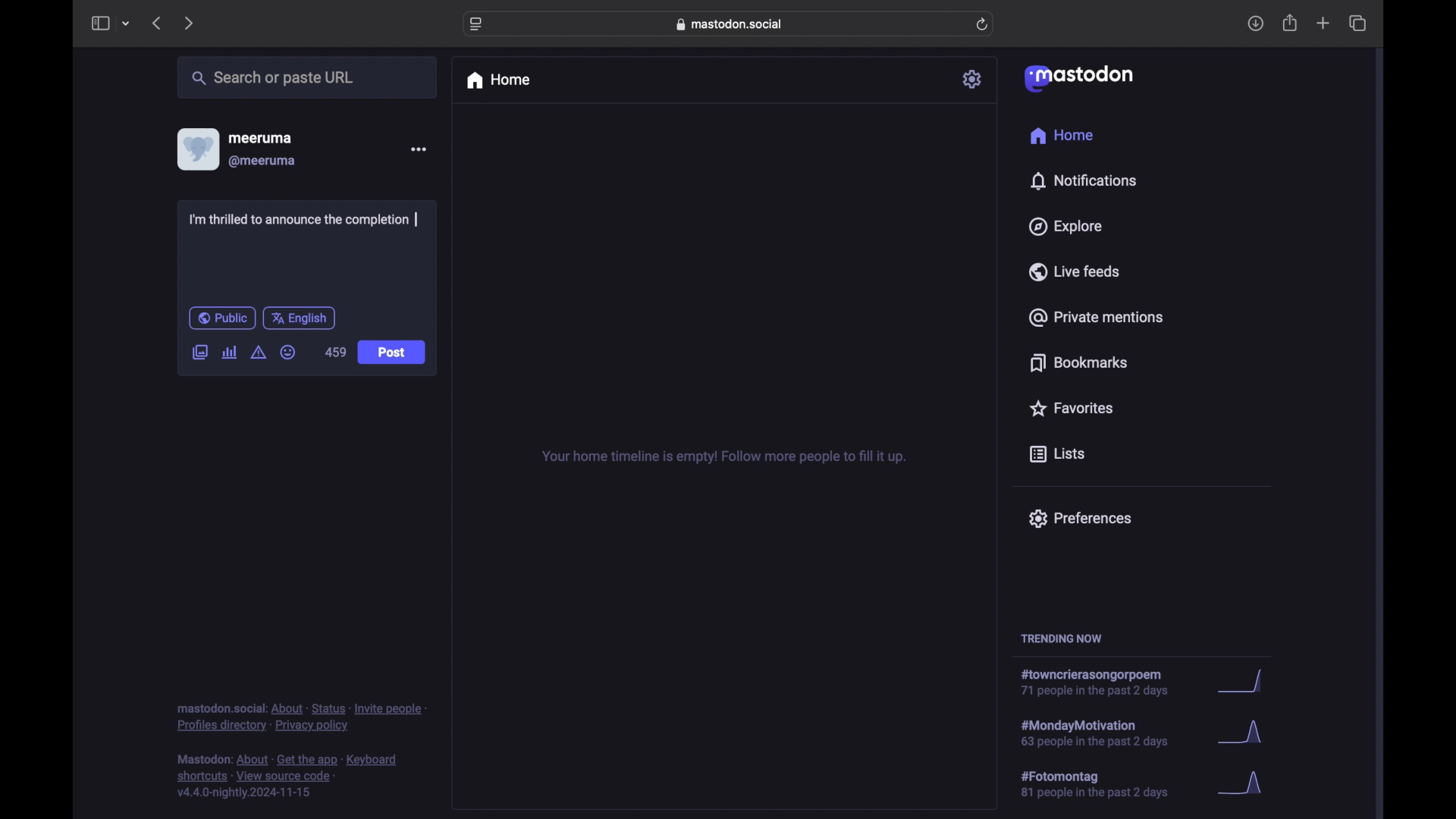 This screenshot has height=819, width=1456. What do you see at coordinates (287, 777) in the screenshot?
I see `footnote` at bounding box center [287, 777].